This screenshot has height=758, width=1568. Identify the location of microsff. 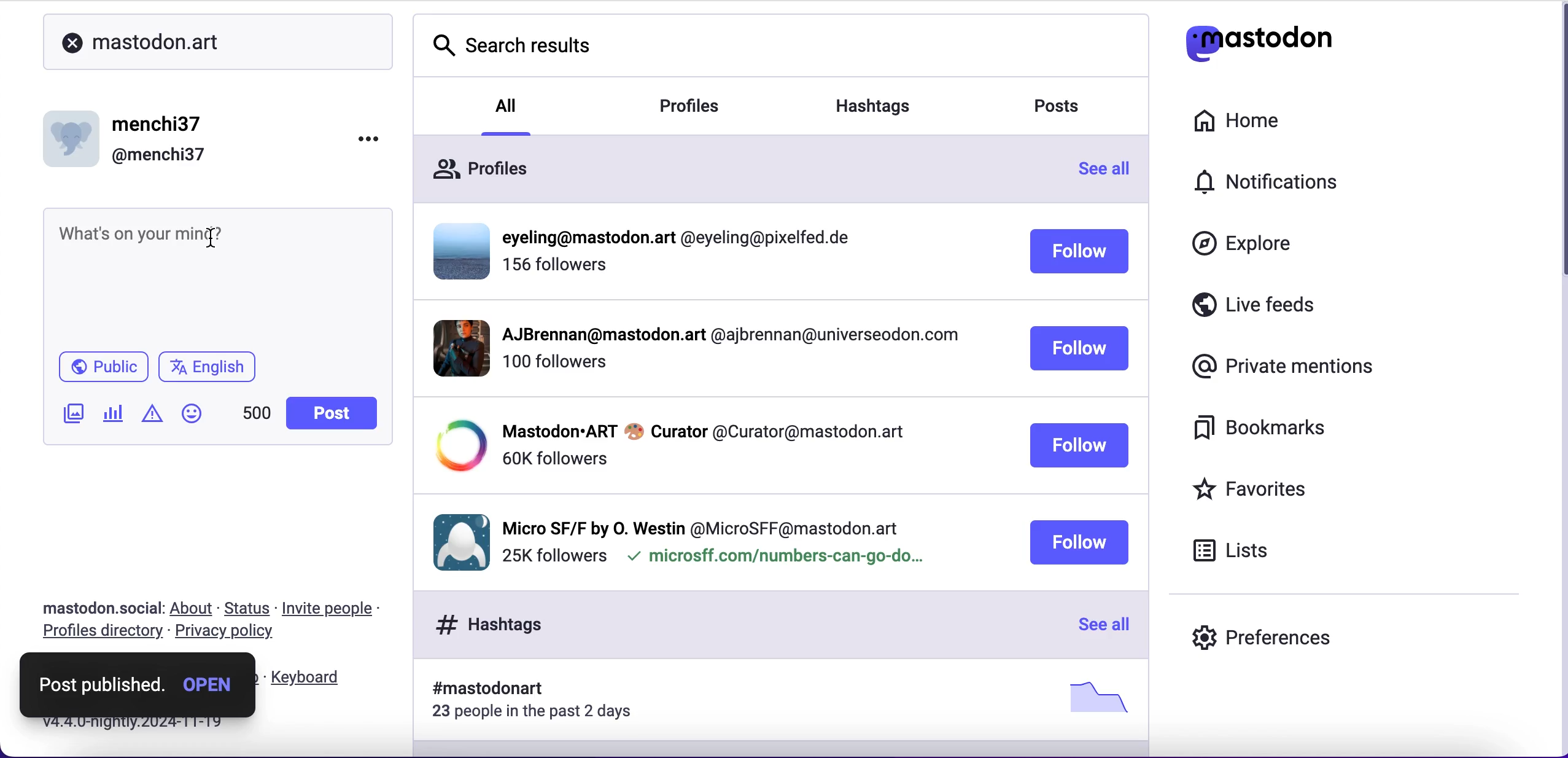
(774, 559).